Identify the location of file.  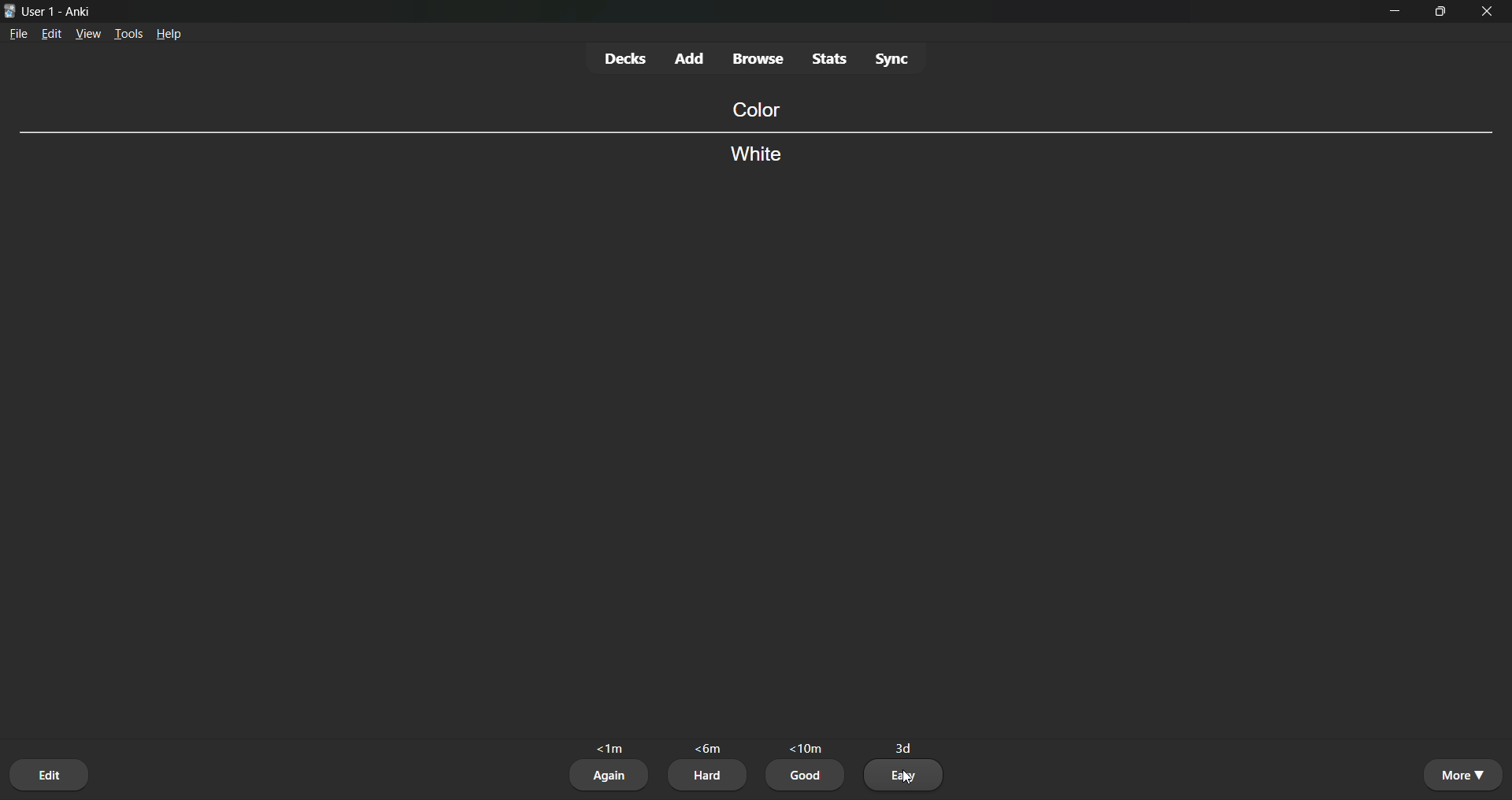
(18, 37).